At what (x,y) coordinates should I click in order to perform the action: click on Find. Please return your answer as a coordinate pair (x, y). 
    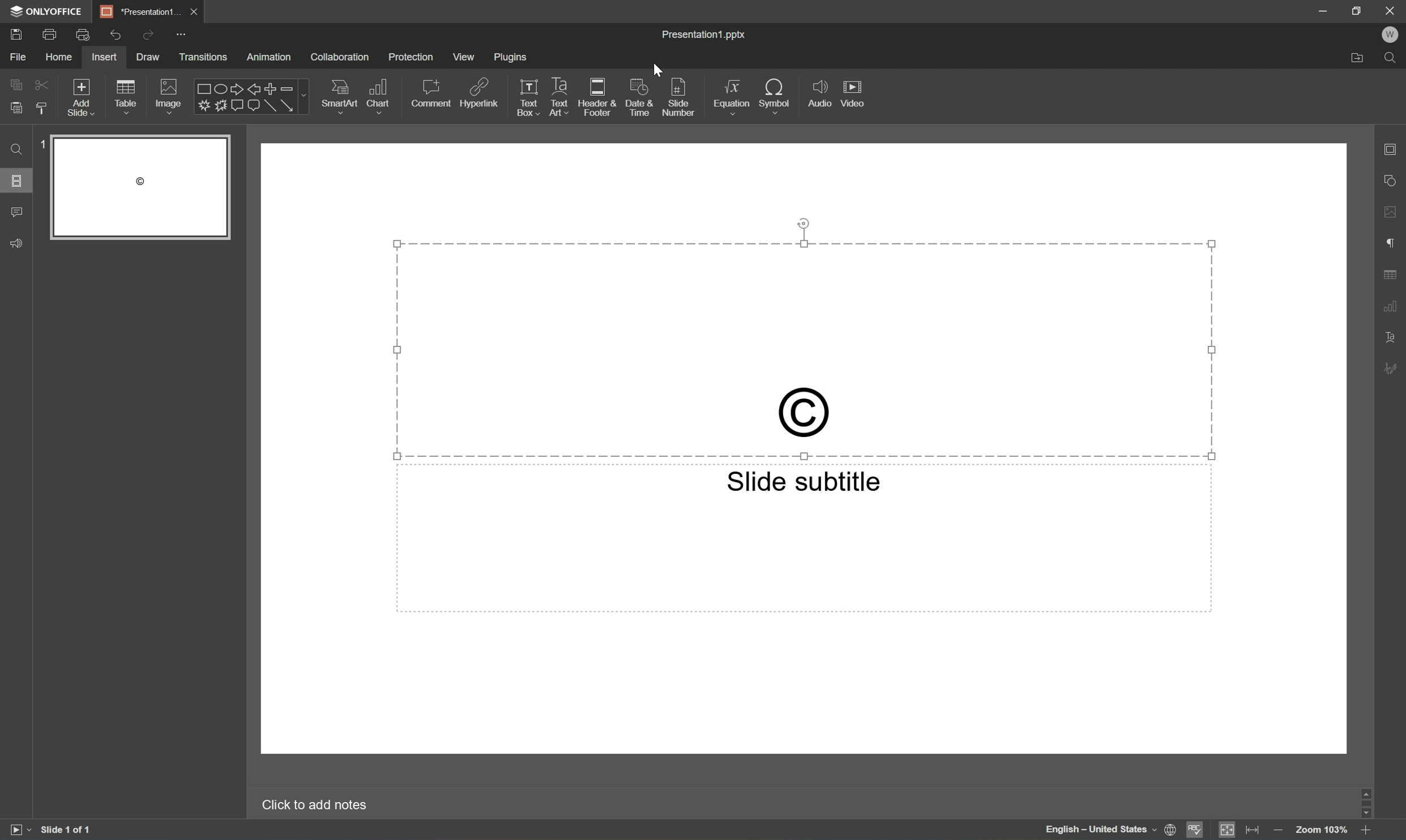
    Looking at the image, I should click on (1394, 58).